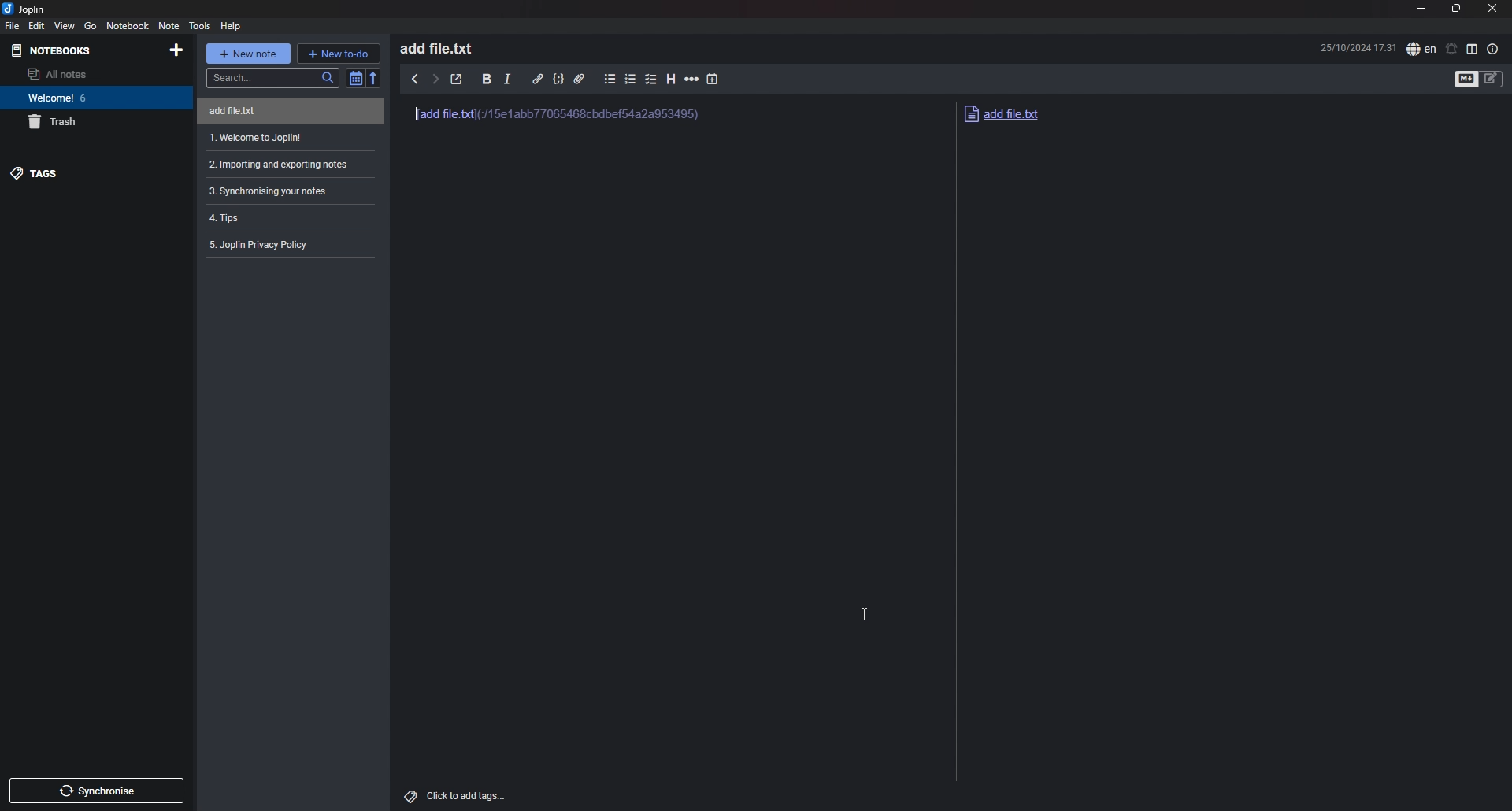 This screenshot has width=1512, height=811. Describe the element at coordinates (170, 25) in the screenshot. I see `note` at that location.